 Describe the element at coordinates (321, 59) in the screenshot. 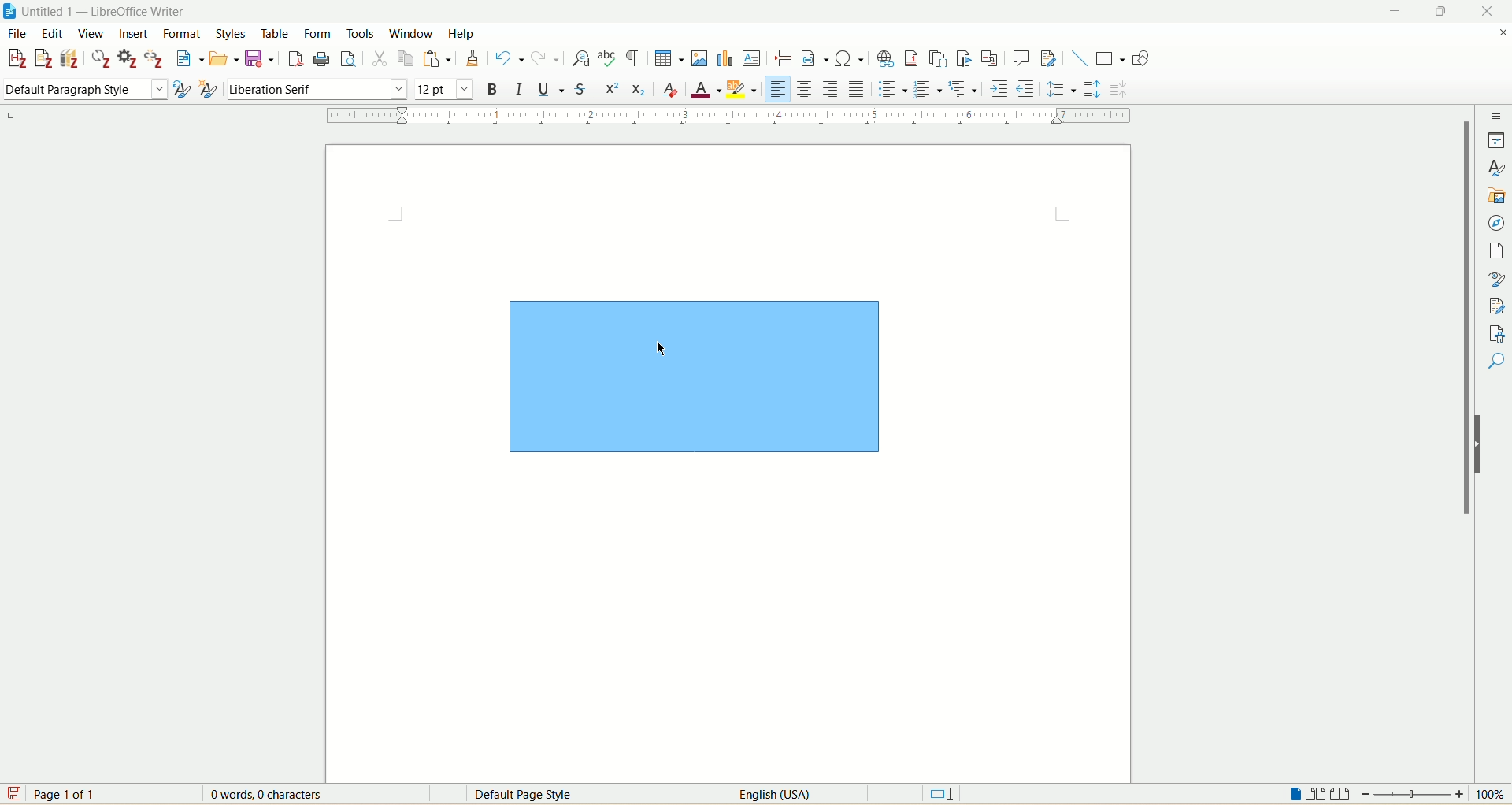

I see `print` at that location.